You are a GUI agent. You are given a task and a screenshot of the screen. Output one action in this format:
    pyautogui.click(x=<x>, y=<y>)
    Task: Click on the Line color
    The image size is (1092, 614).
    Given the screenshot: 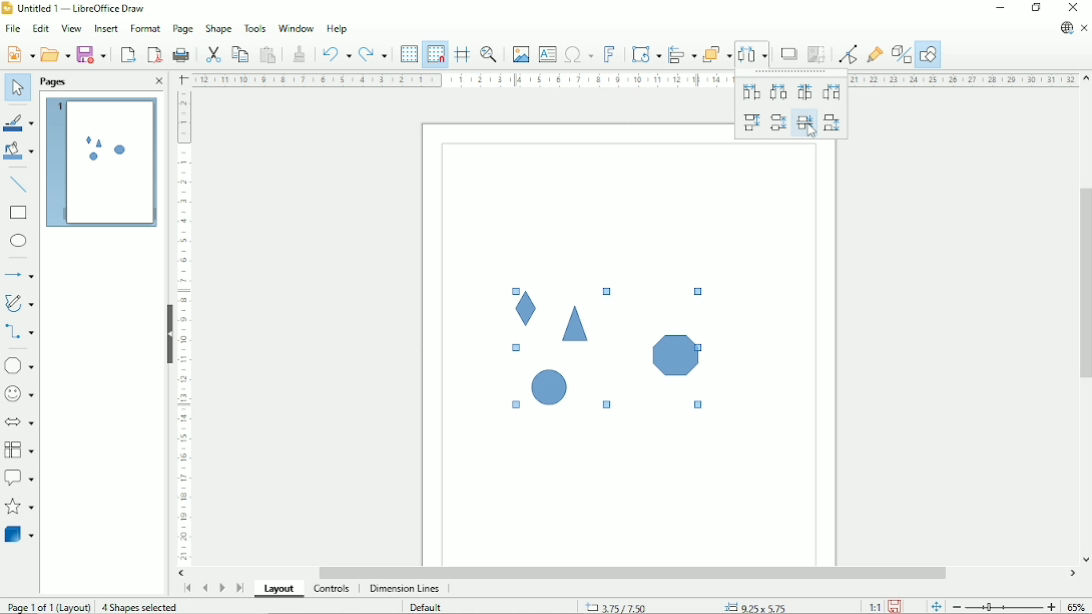 What is the action you would take?
    pyautogui.click(x=21, y=123)
    